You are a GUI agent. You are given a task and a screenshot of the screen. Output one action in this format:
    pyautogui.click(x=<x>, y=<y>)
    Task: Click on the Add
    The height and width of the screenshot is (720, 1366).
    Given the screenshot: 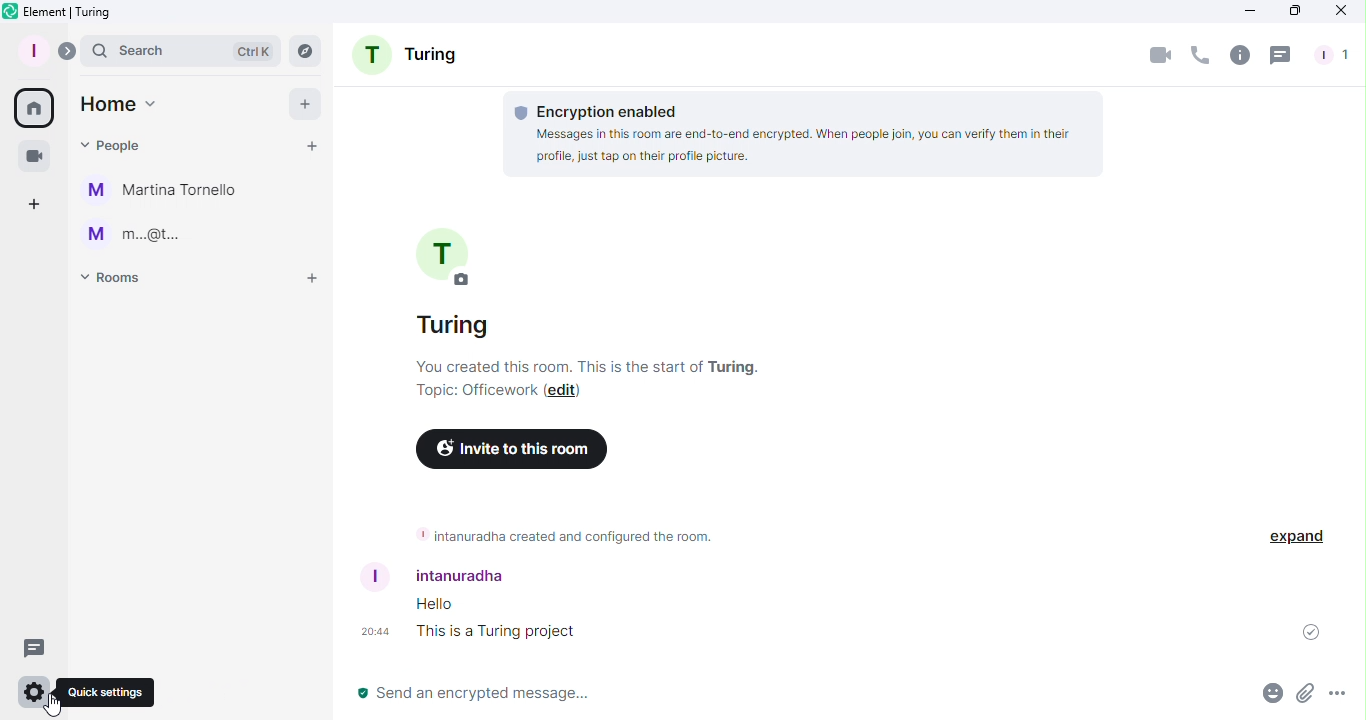 What is the action you would take?
    pyautogui.click(x=306, y=103)
    